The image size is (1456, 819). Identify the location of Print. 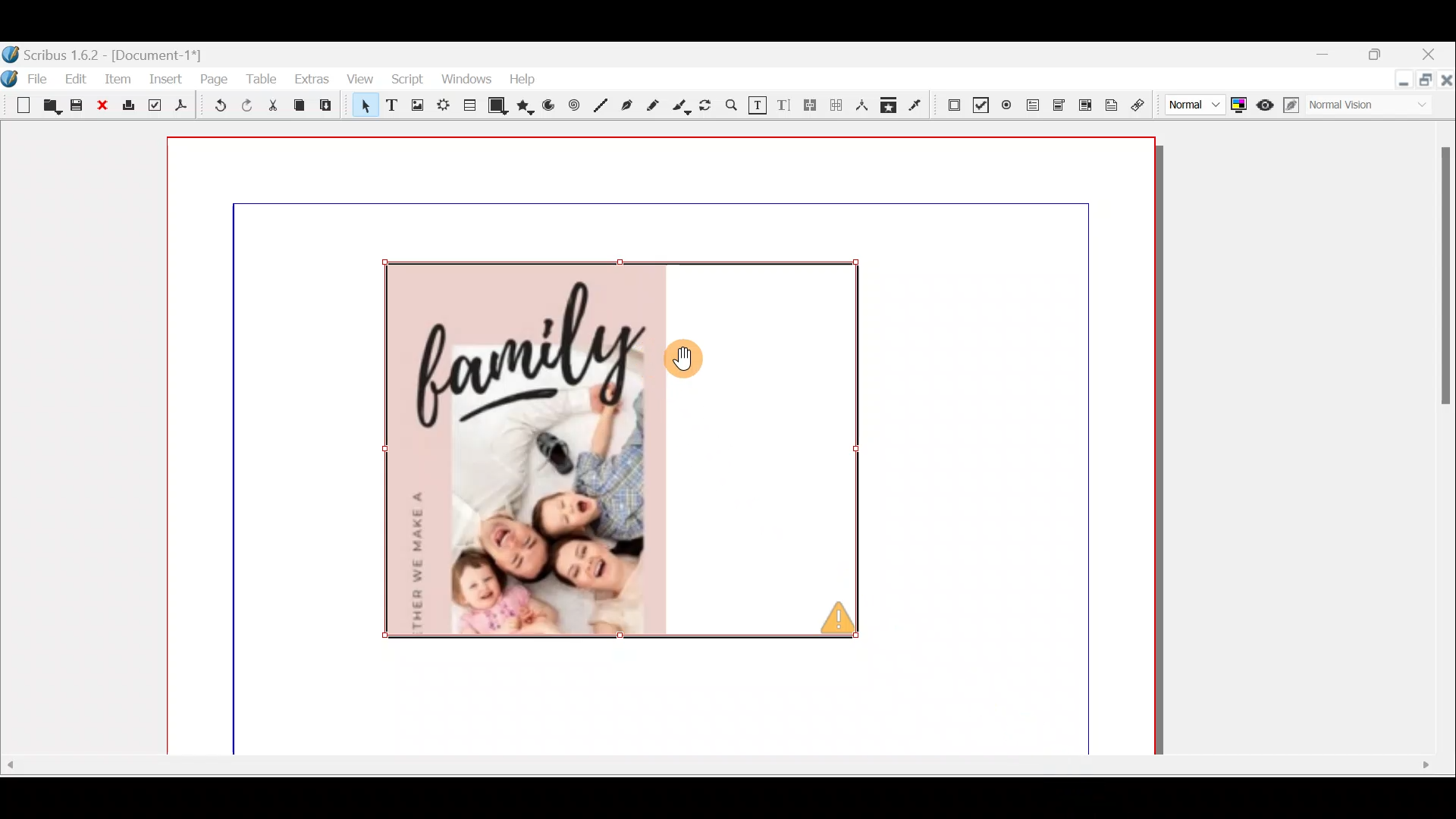
(130, 105).